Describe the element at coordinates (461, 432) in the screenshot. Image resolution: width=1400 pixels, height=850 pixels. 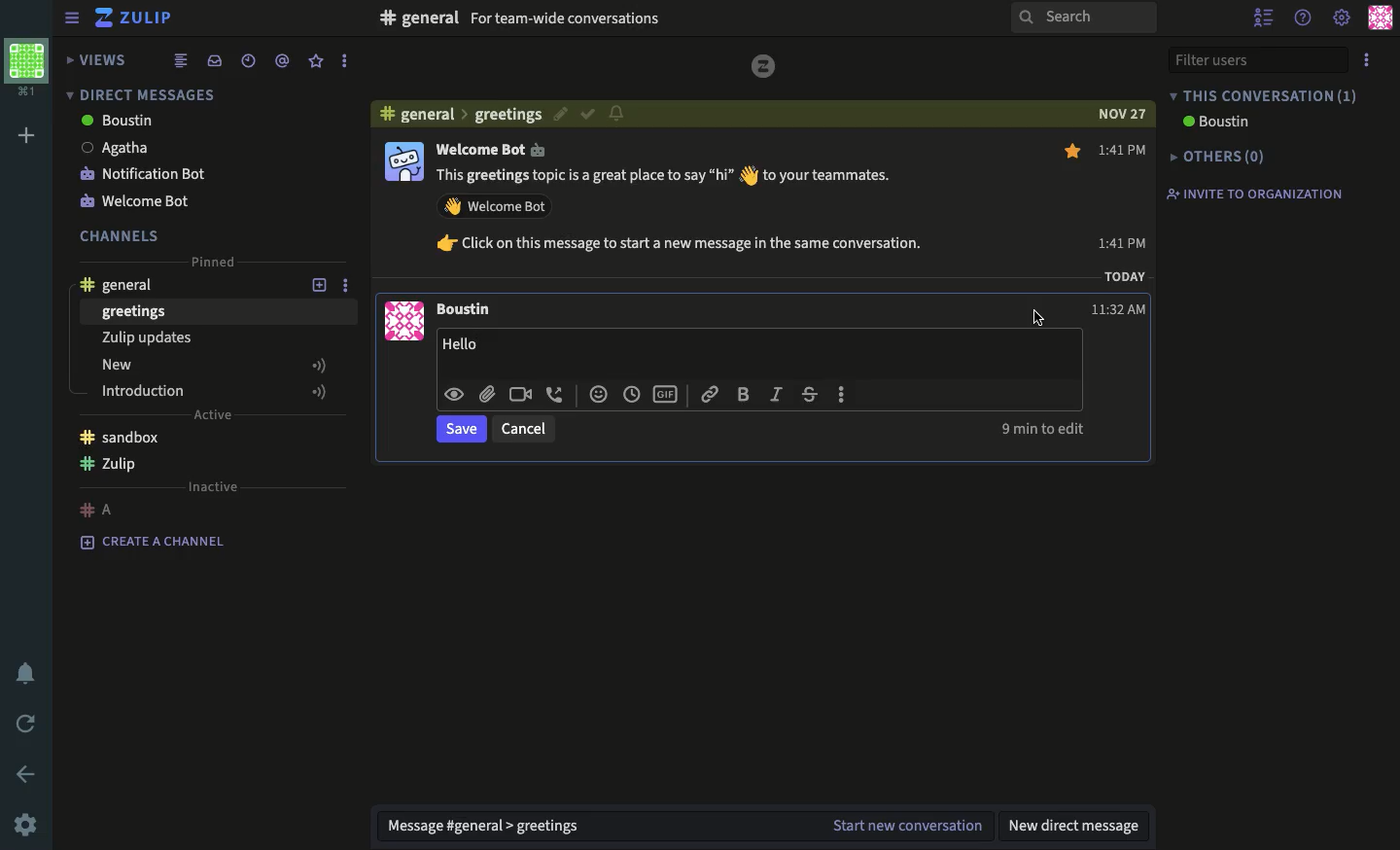
I see `save` at that location.